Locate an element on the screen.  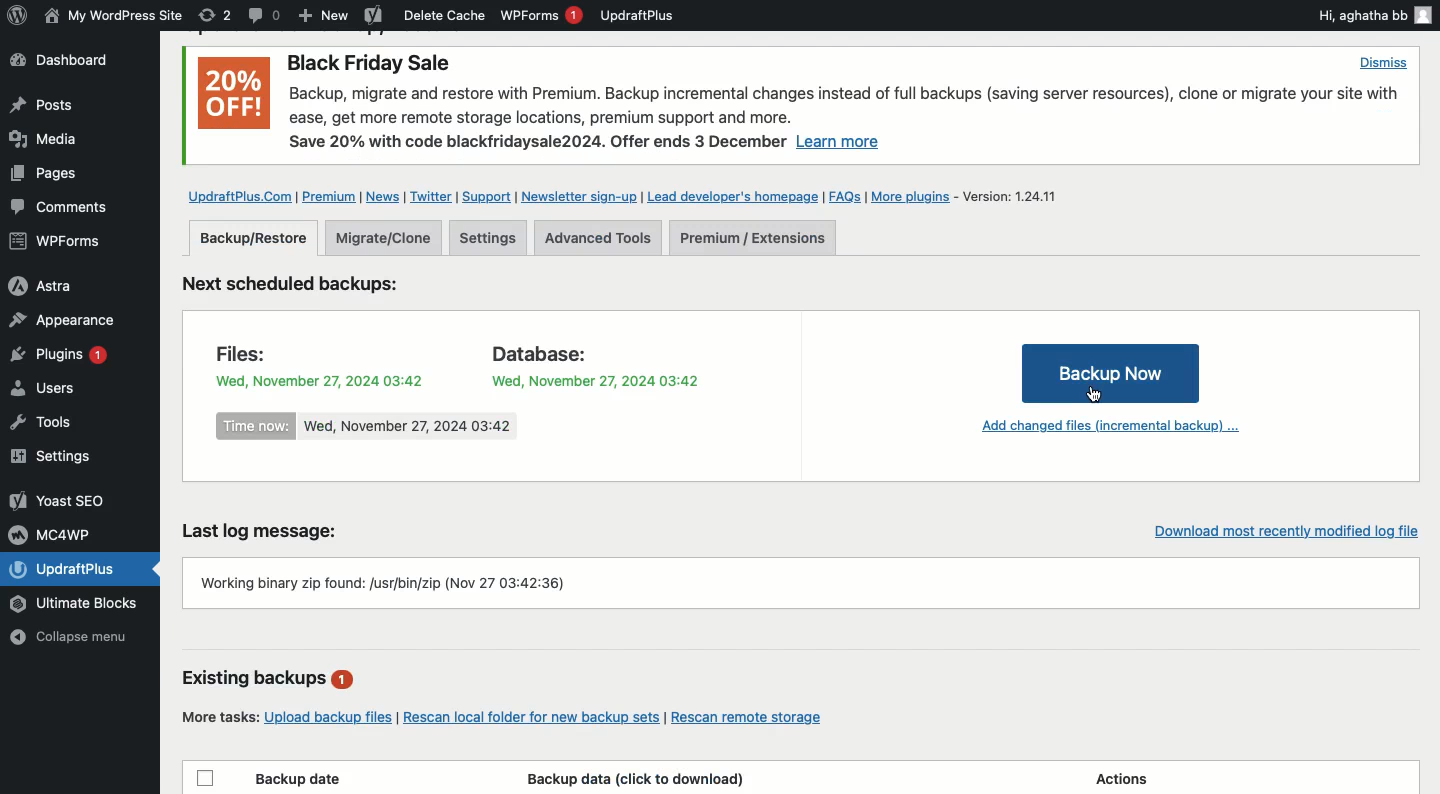
Add changed files (incremental backup)... is located at coordinates (1105, 429).